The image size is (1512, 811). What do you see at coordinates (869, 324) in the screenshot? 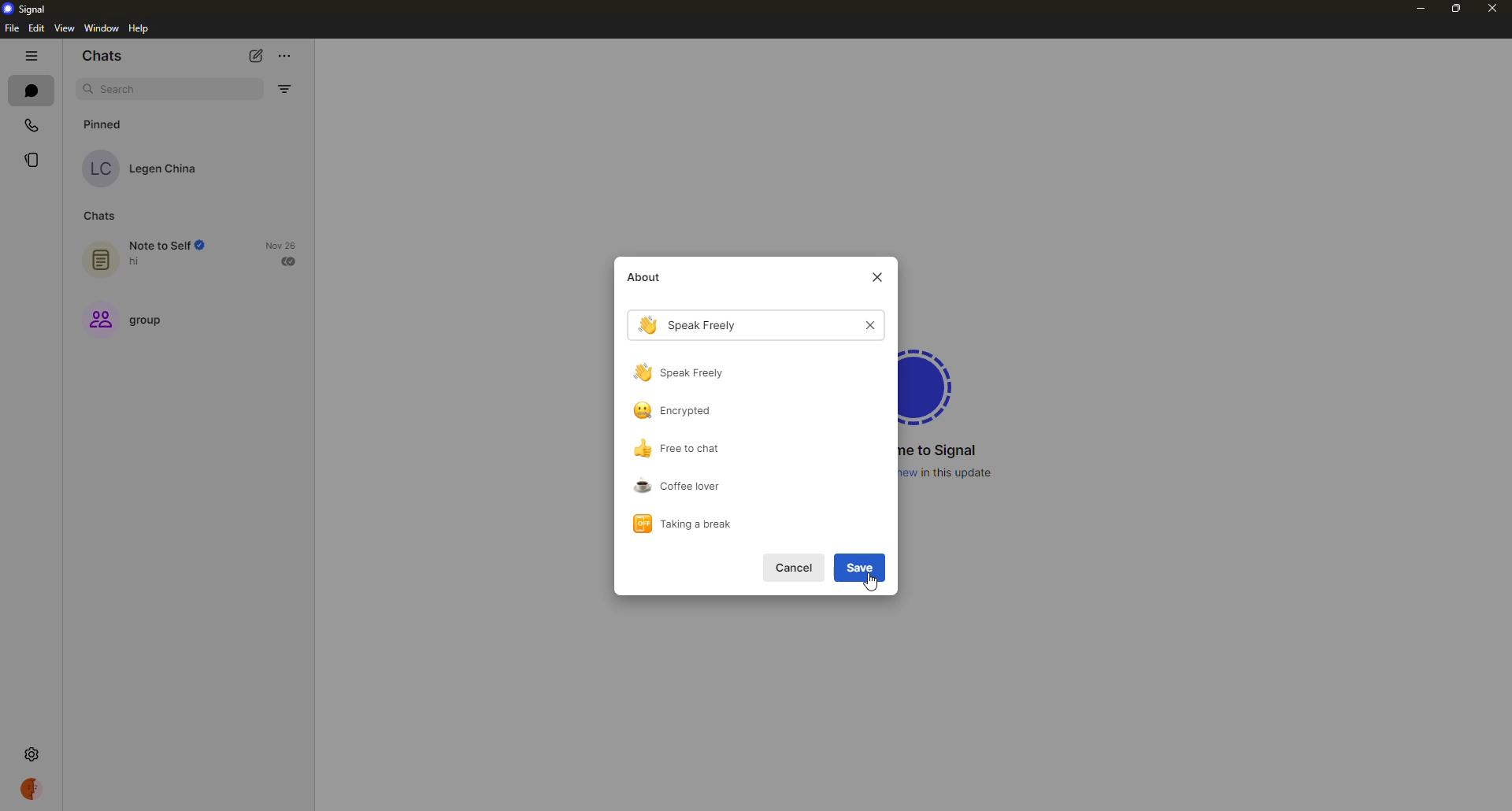
I see `cancel` at bounding box center [869, 324].